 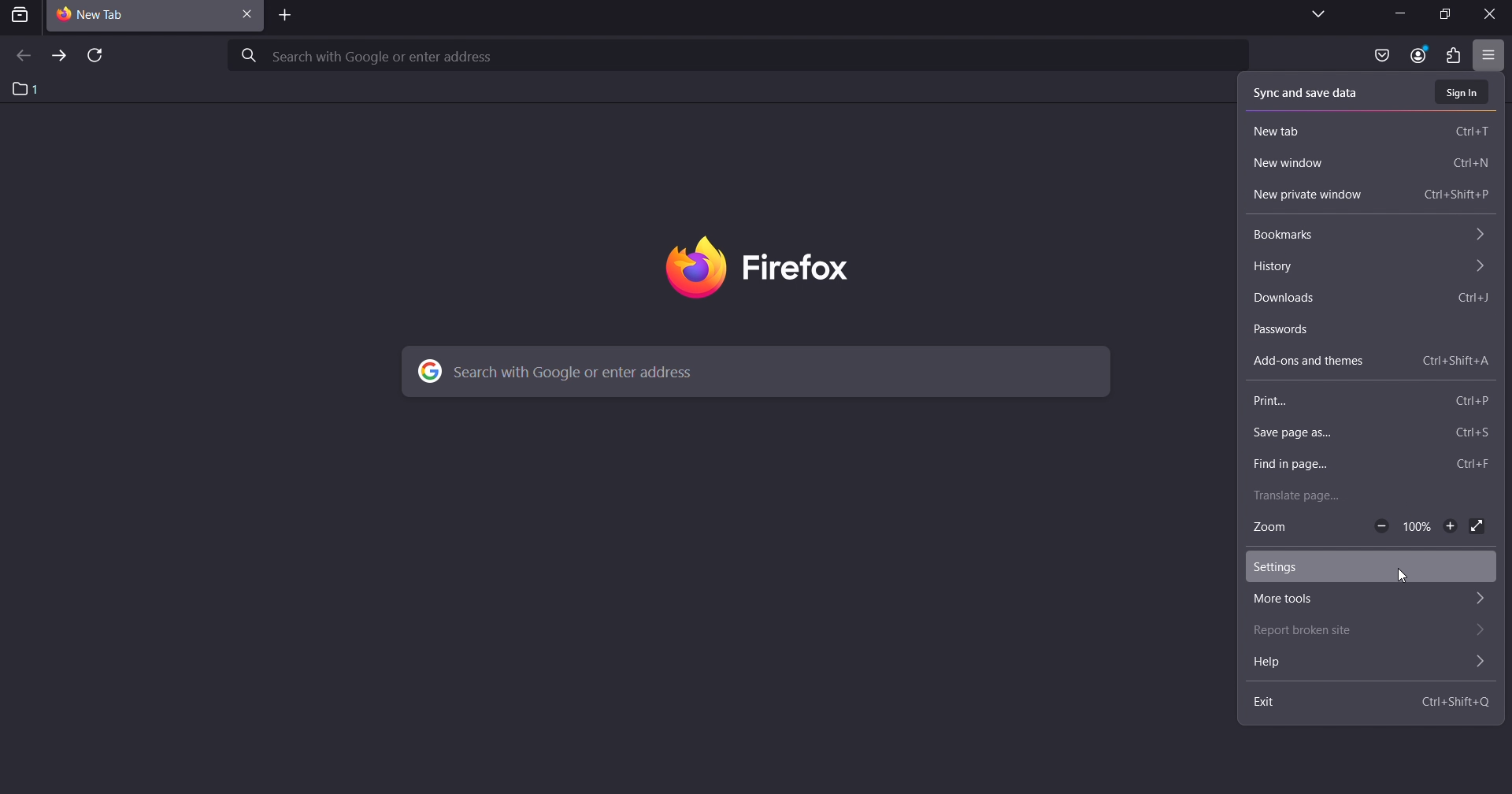 I want to click on forward one page, so click(x=57, y=57).